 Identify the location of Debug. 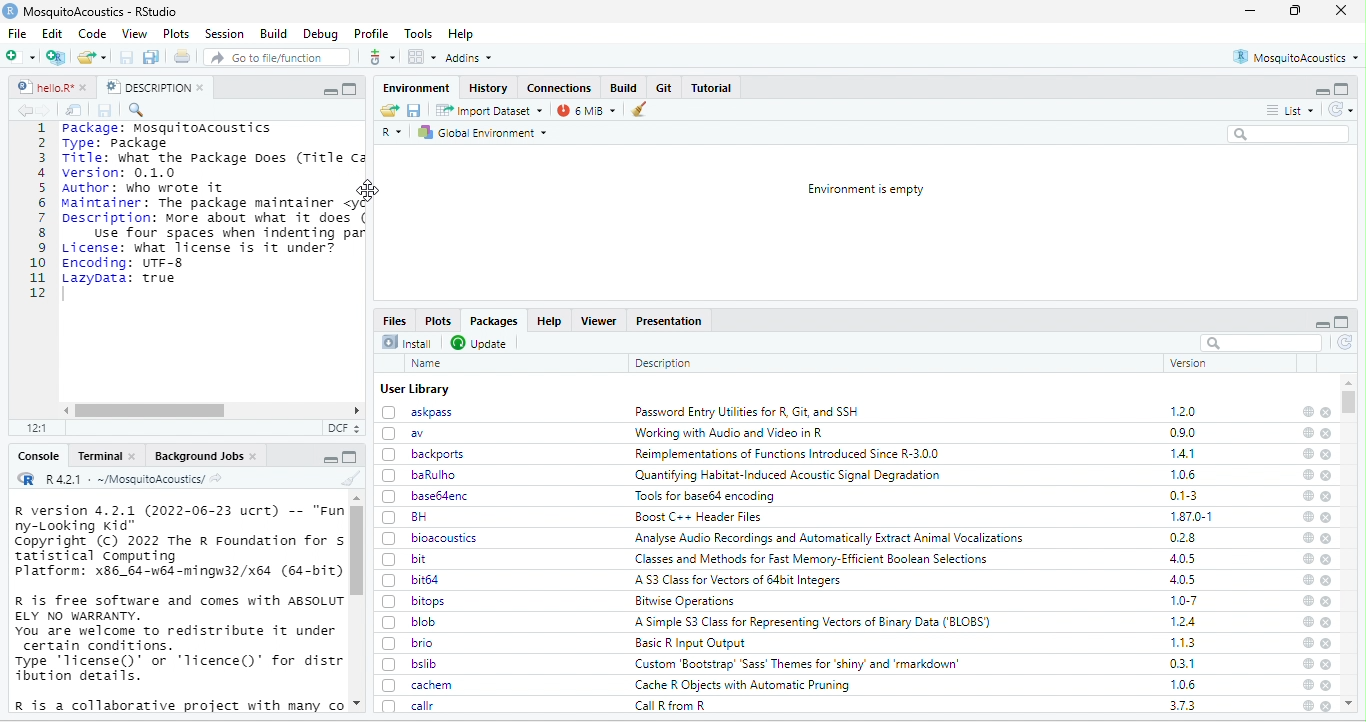
(321, 35).